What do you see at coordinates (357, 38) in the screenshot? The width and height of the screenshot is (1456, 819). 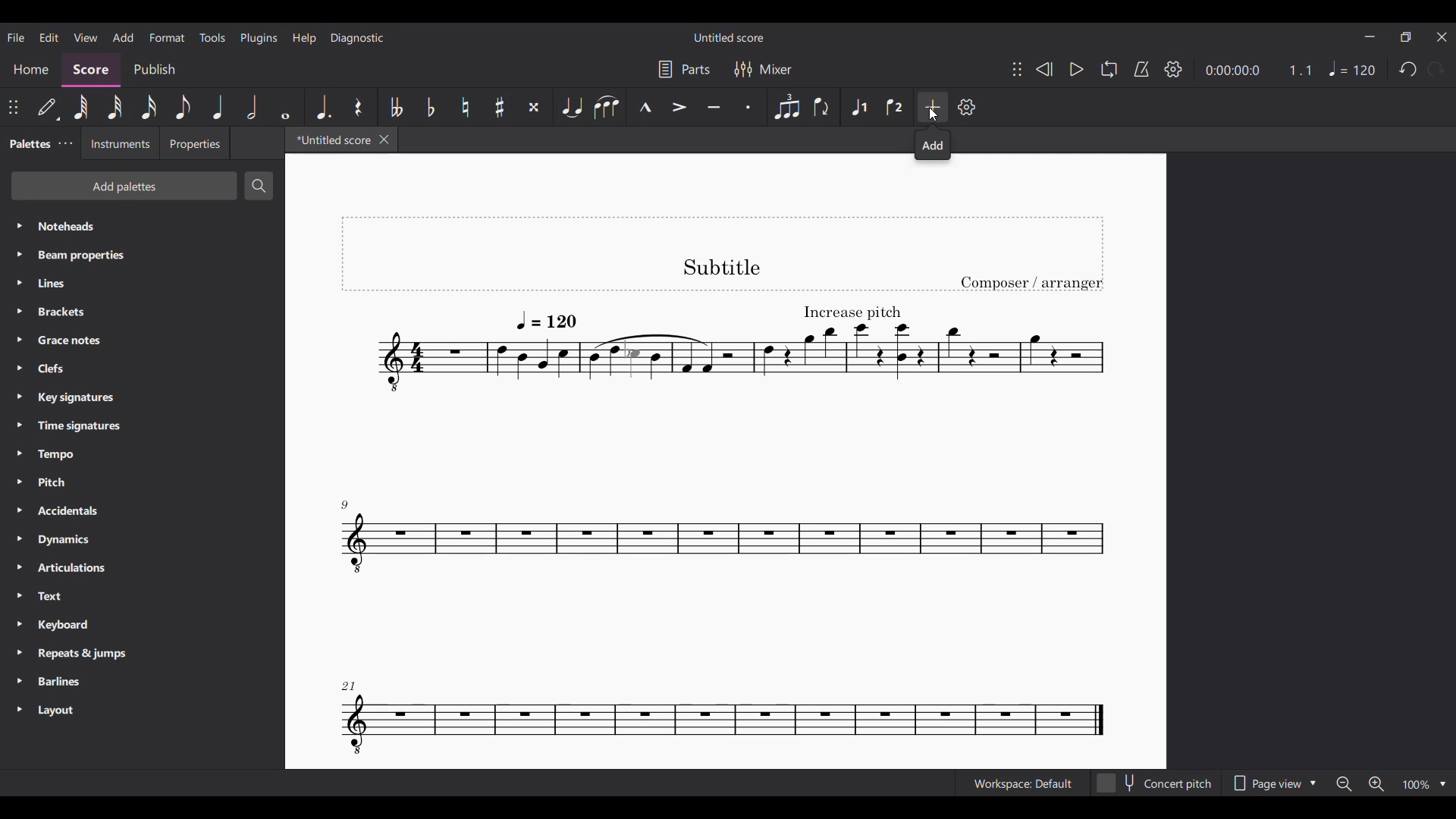 I see `Diagnostic menu` at bounding box center [357, 38].